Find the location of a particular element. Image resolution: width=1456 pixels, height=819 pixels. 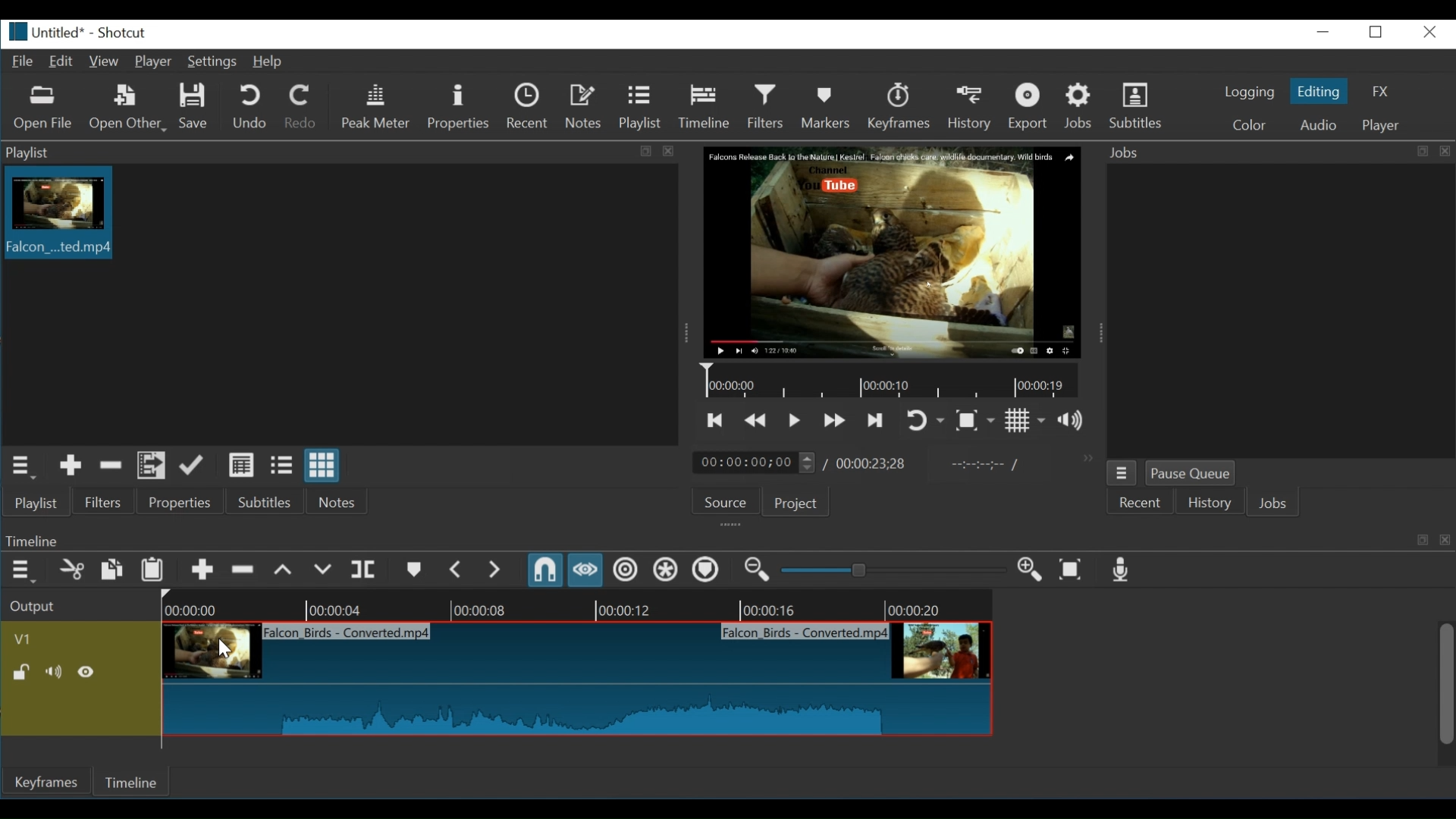

Keyframe is located at coordinates (49, 783).